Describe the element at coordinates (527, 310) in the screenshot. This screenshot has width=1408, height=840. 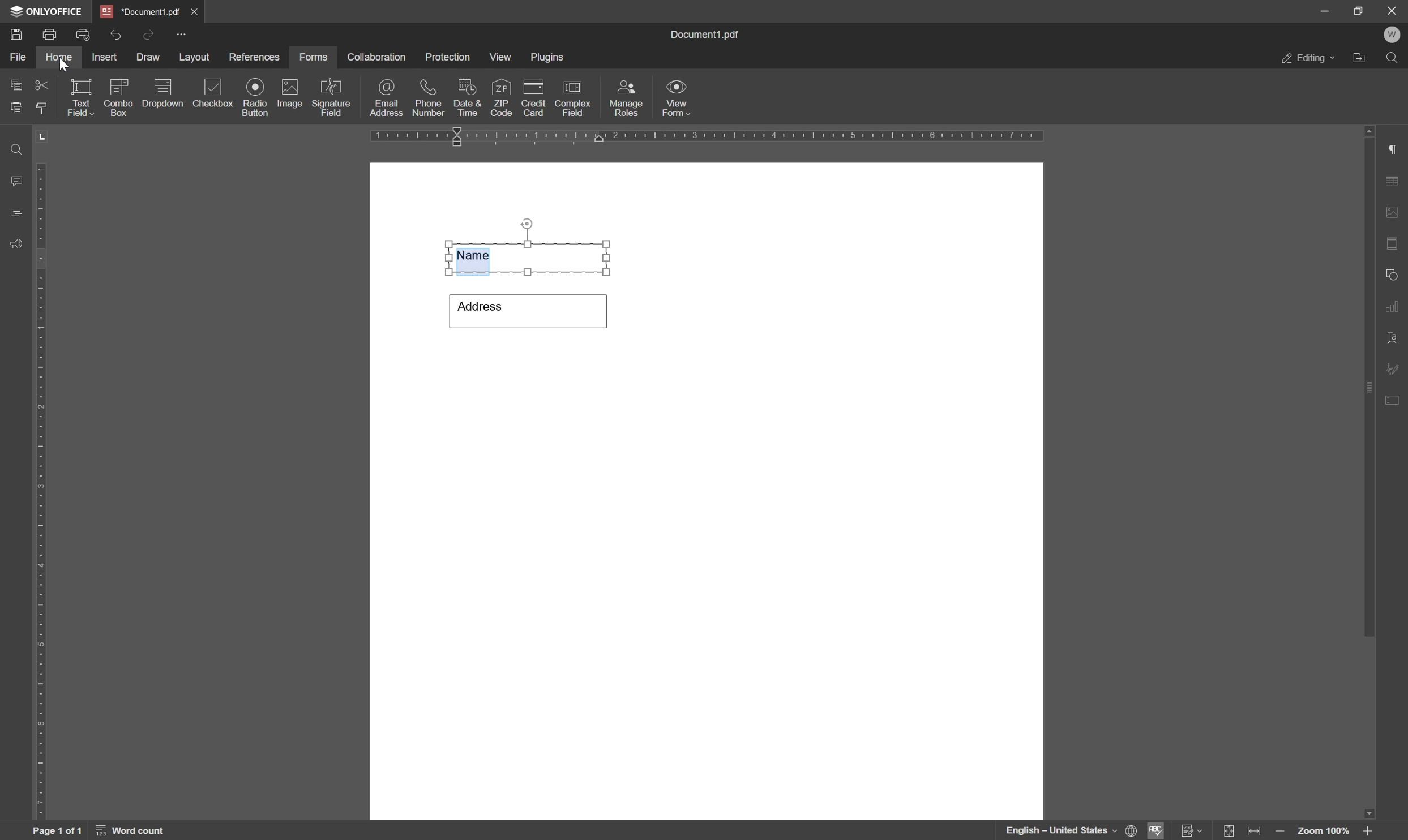
I see `Address` at that location.